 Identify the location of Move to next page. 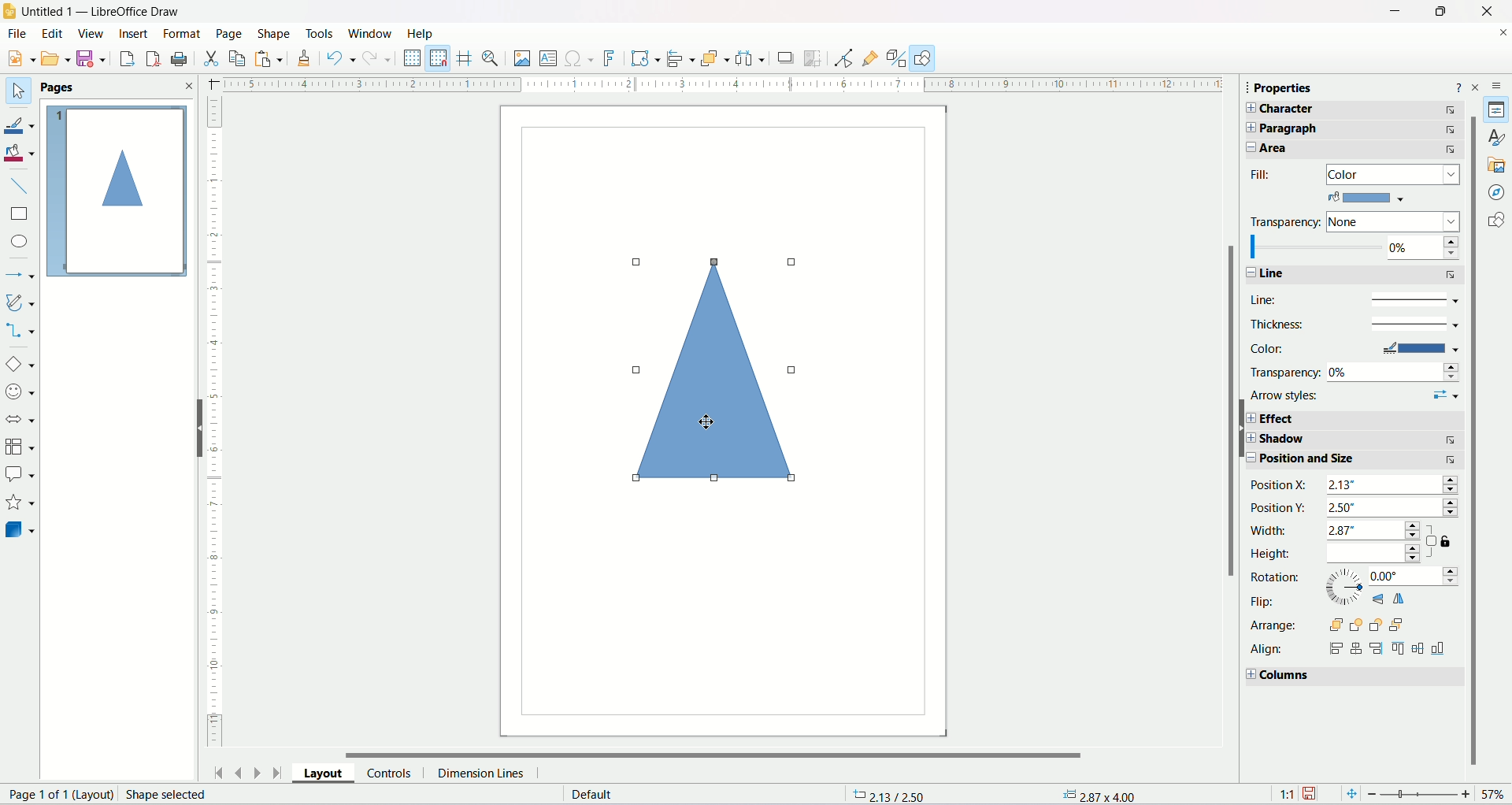
(255, 771).